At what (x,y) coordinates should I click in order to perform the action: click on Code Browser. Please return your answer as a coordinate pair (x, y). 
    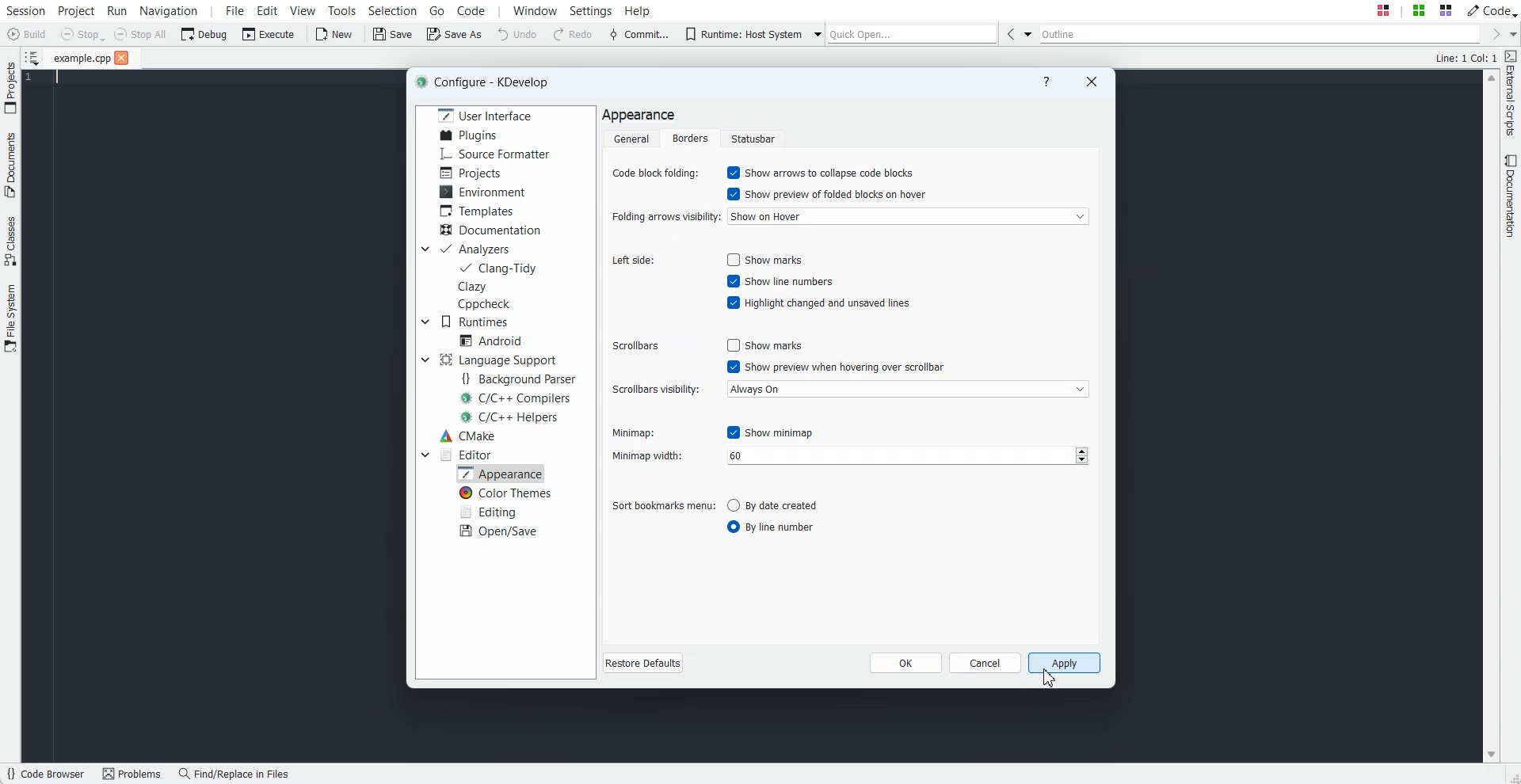
    Looking at the image, I should click on (48, 774).